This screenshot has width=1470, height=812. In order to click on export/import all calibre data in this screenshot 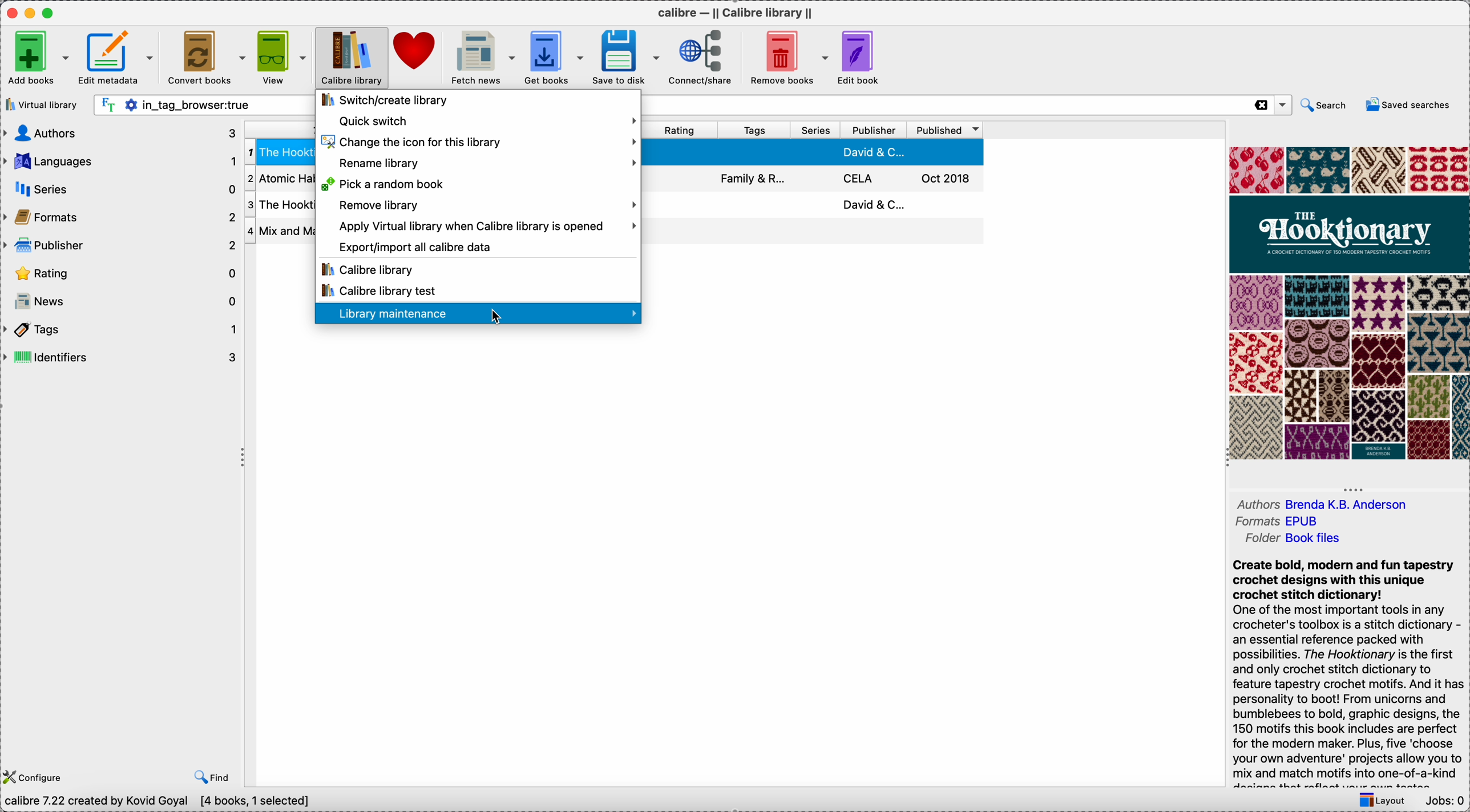, I will do `click(415, 244)`.